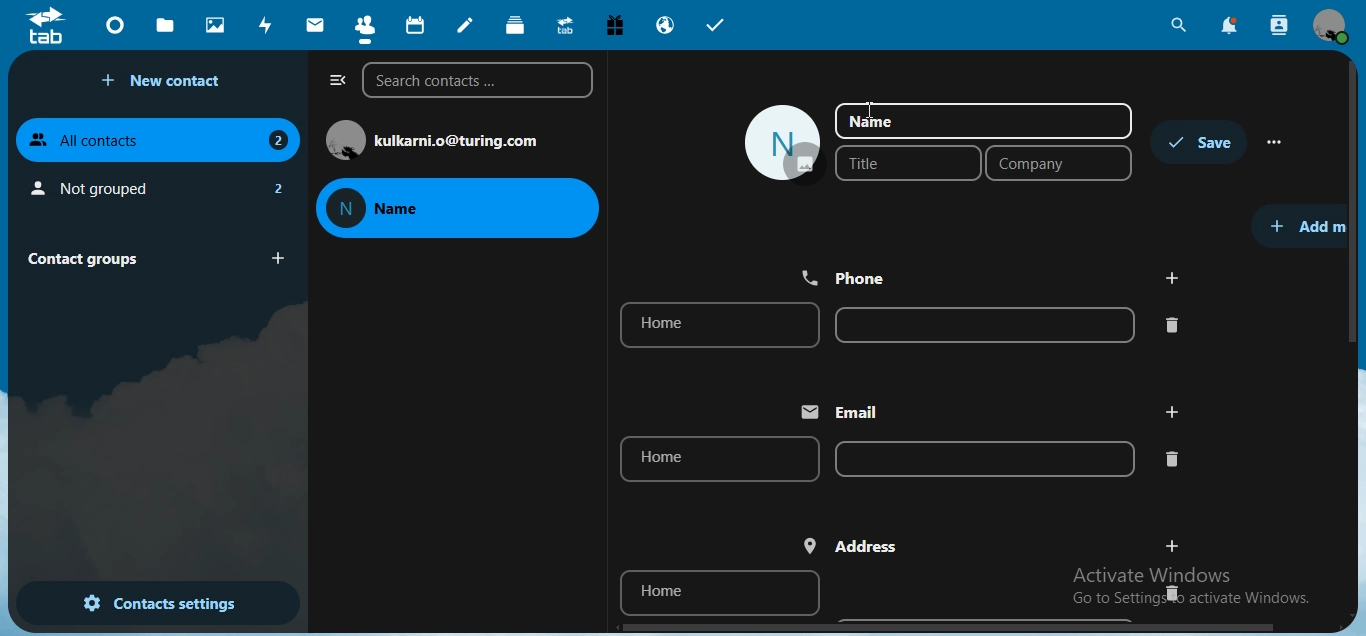 The image size is (1366, 636). I want to click on add, so click(1172, 278).